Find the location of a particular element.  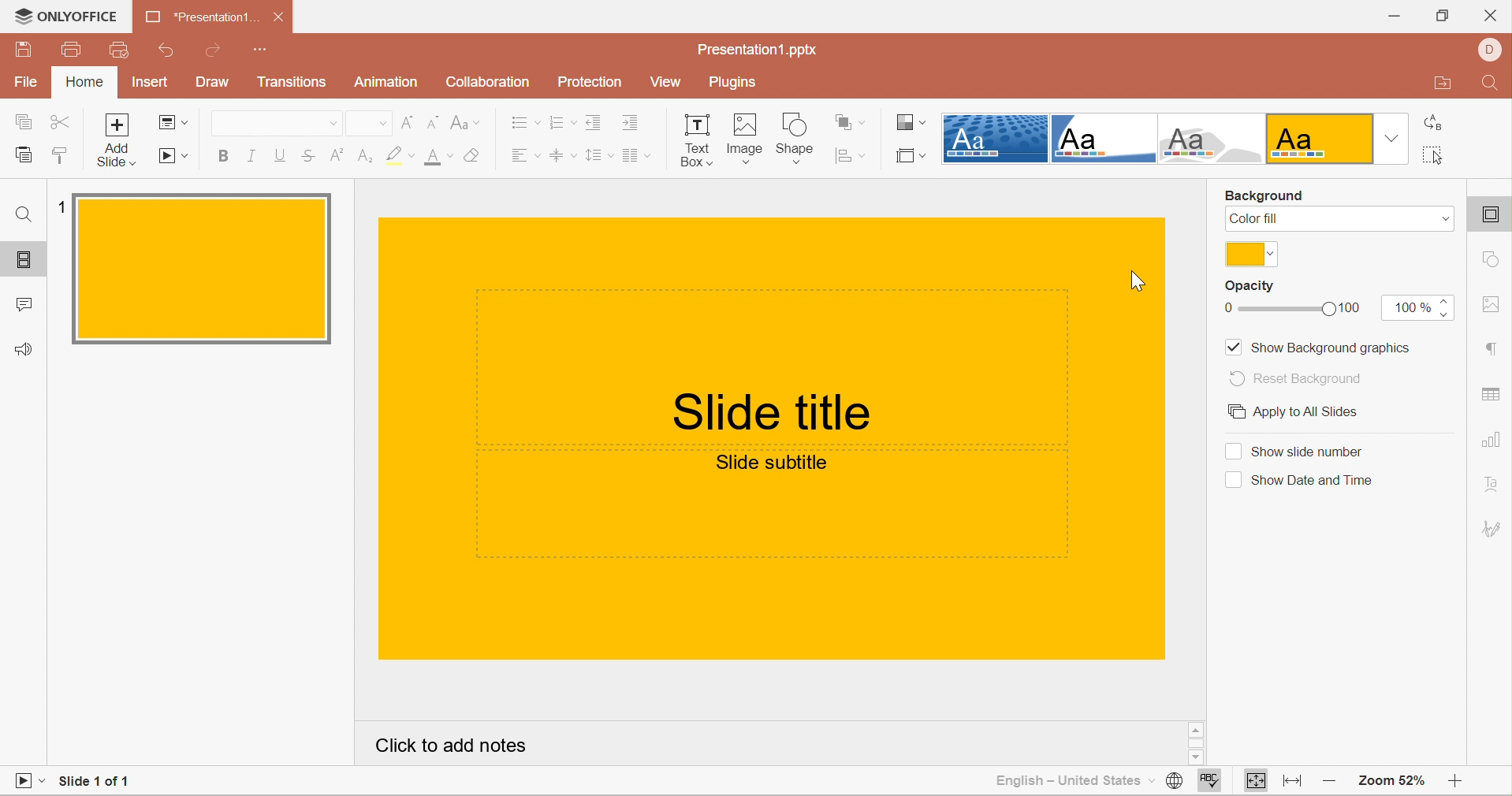

Vertical Align is located at coordinates (564, 158).